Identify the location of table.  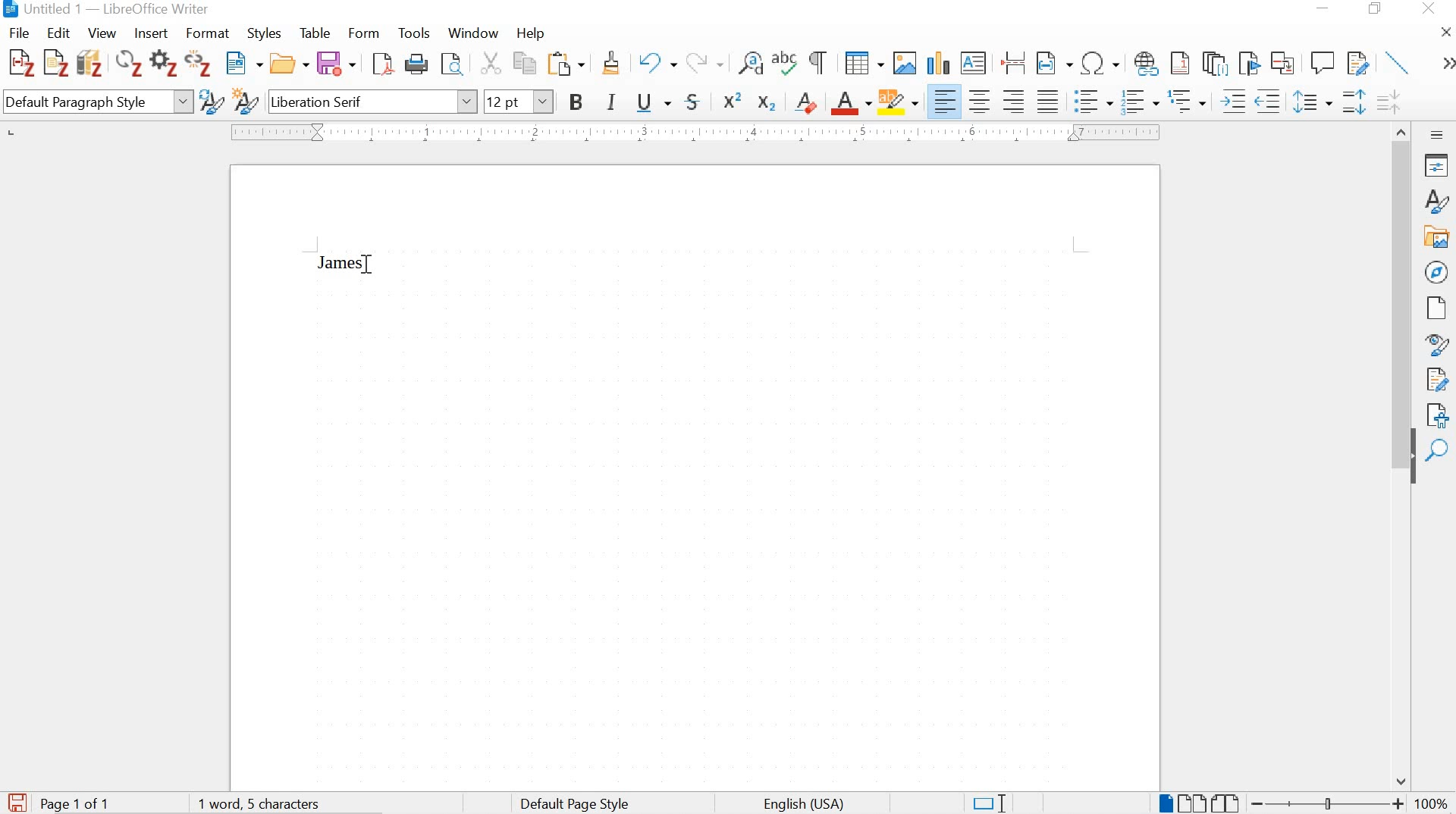
(315, 33).